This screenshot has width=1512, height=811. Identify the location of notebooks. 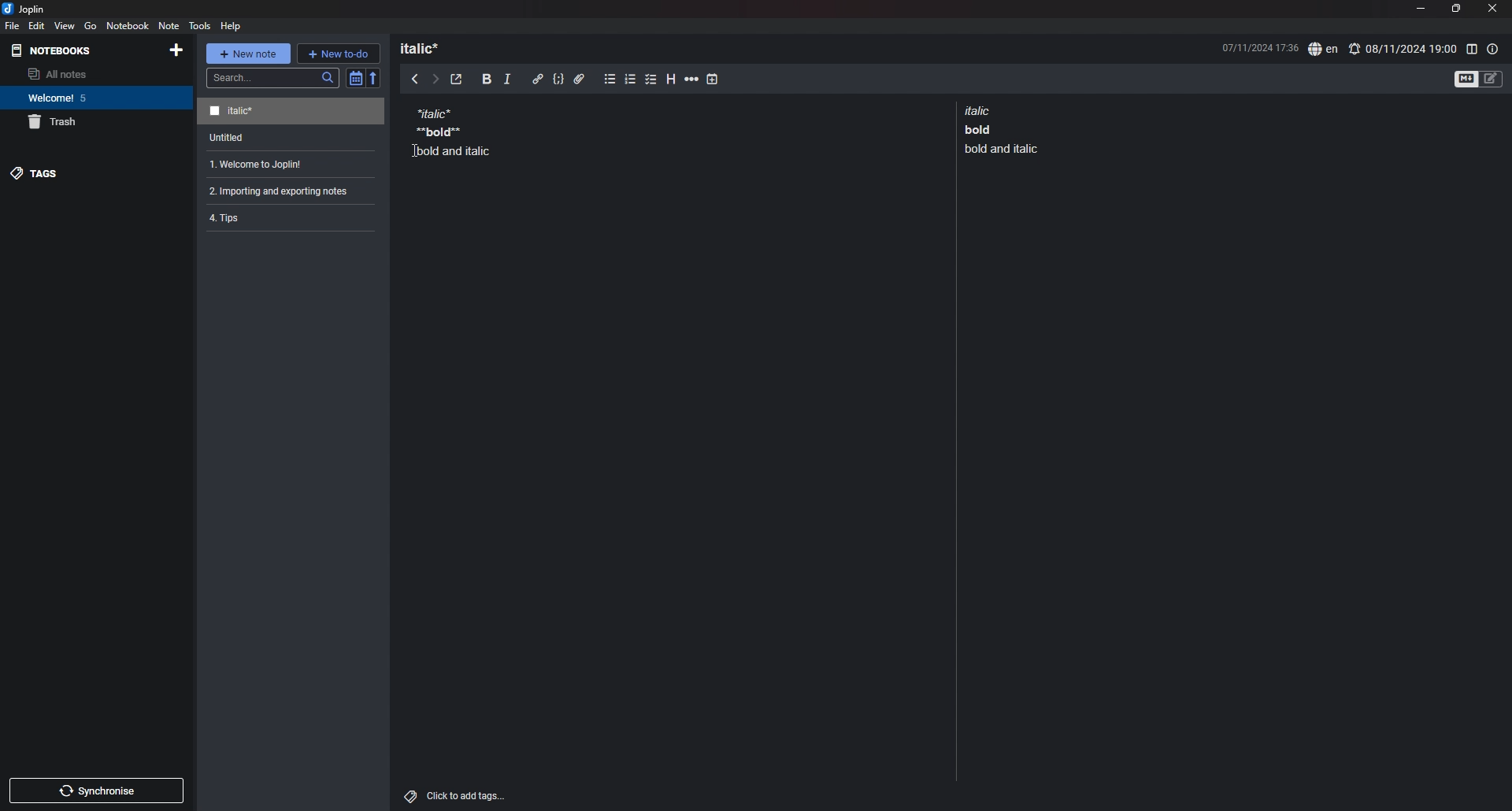
(55, 50).